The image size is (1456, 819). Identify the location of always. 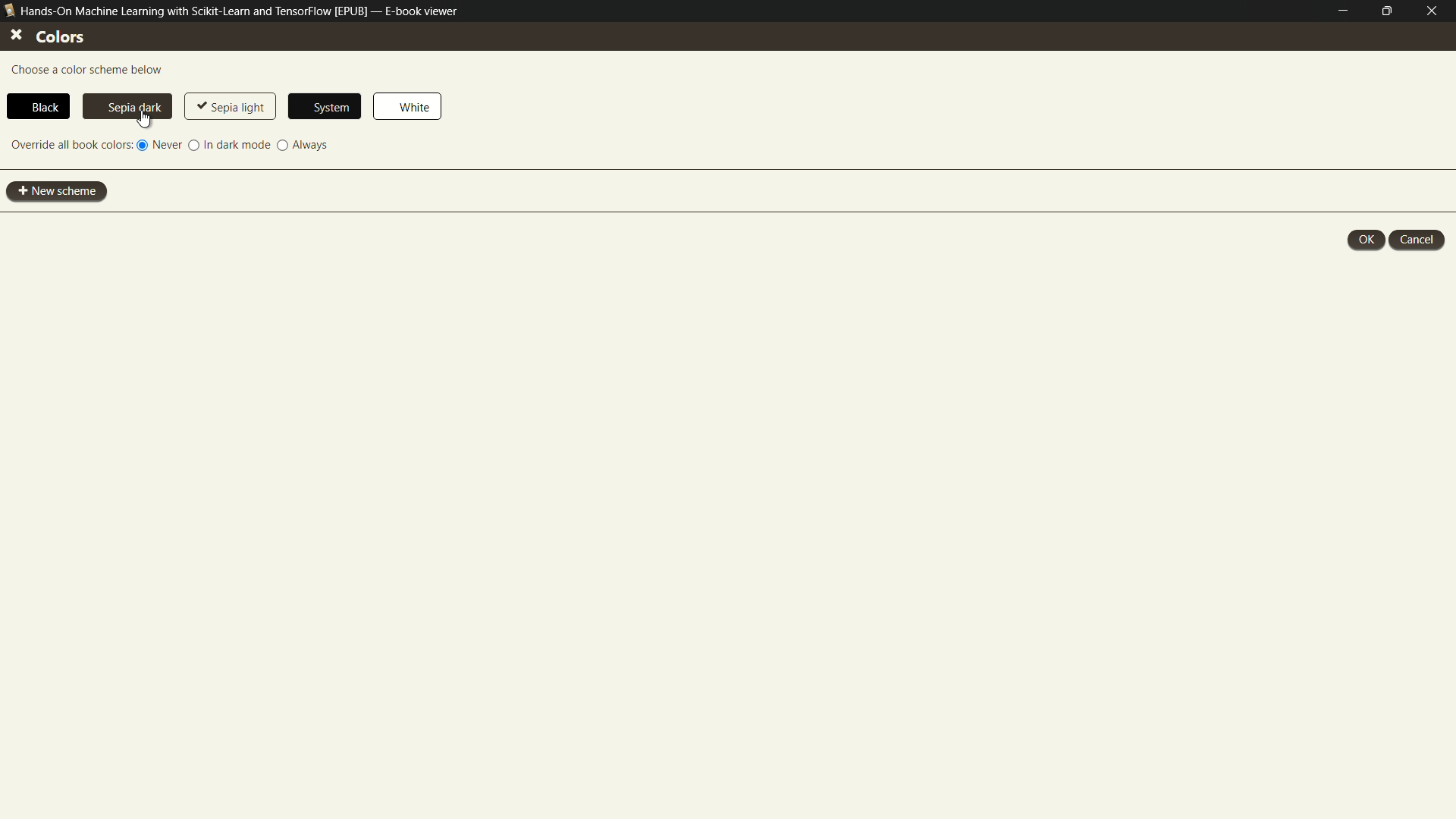
(306, 146).